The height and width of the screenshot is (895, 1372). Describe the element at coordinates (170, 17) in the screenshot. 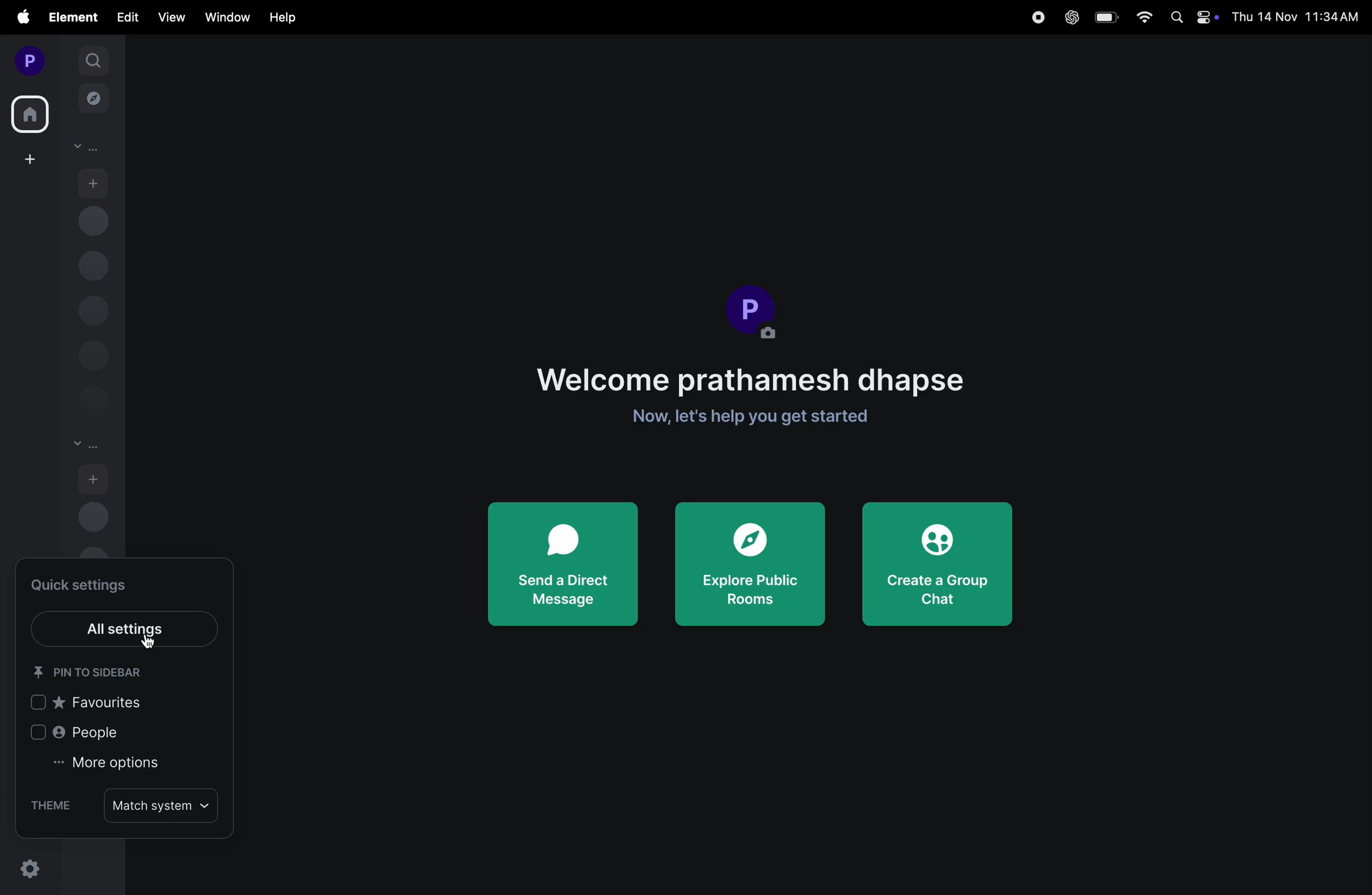

I see `view` at that location.